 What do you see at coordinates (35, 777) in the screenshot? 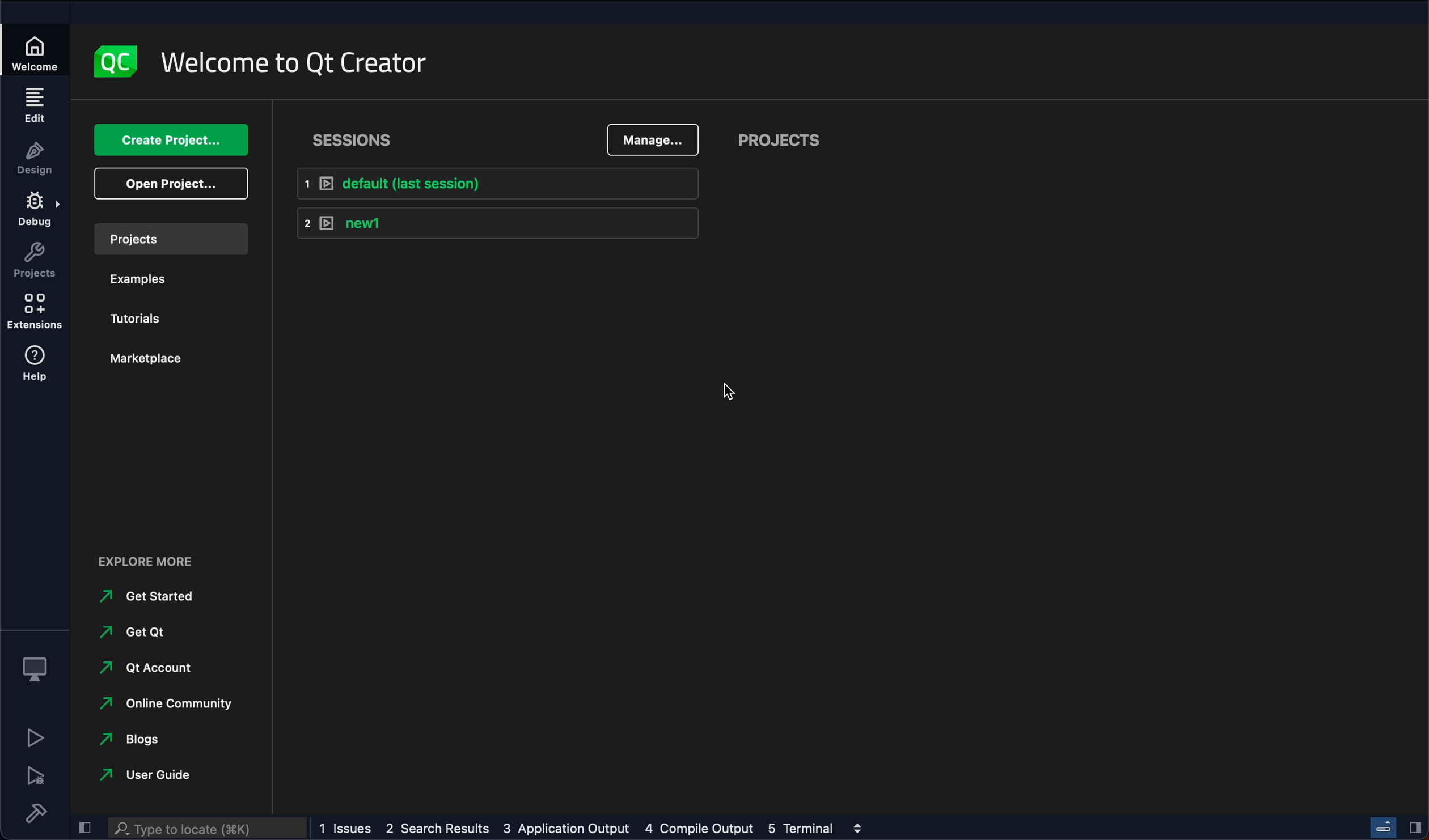
I see `run debug` at bounding box center [35, 777].